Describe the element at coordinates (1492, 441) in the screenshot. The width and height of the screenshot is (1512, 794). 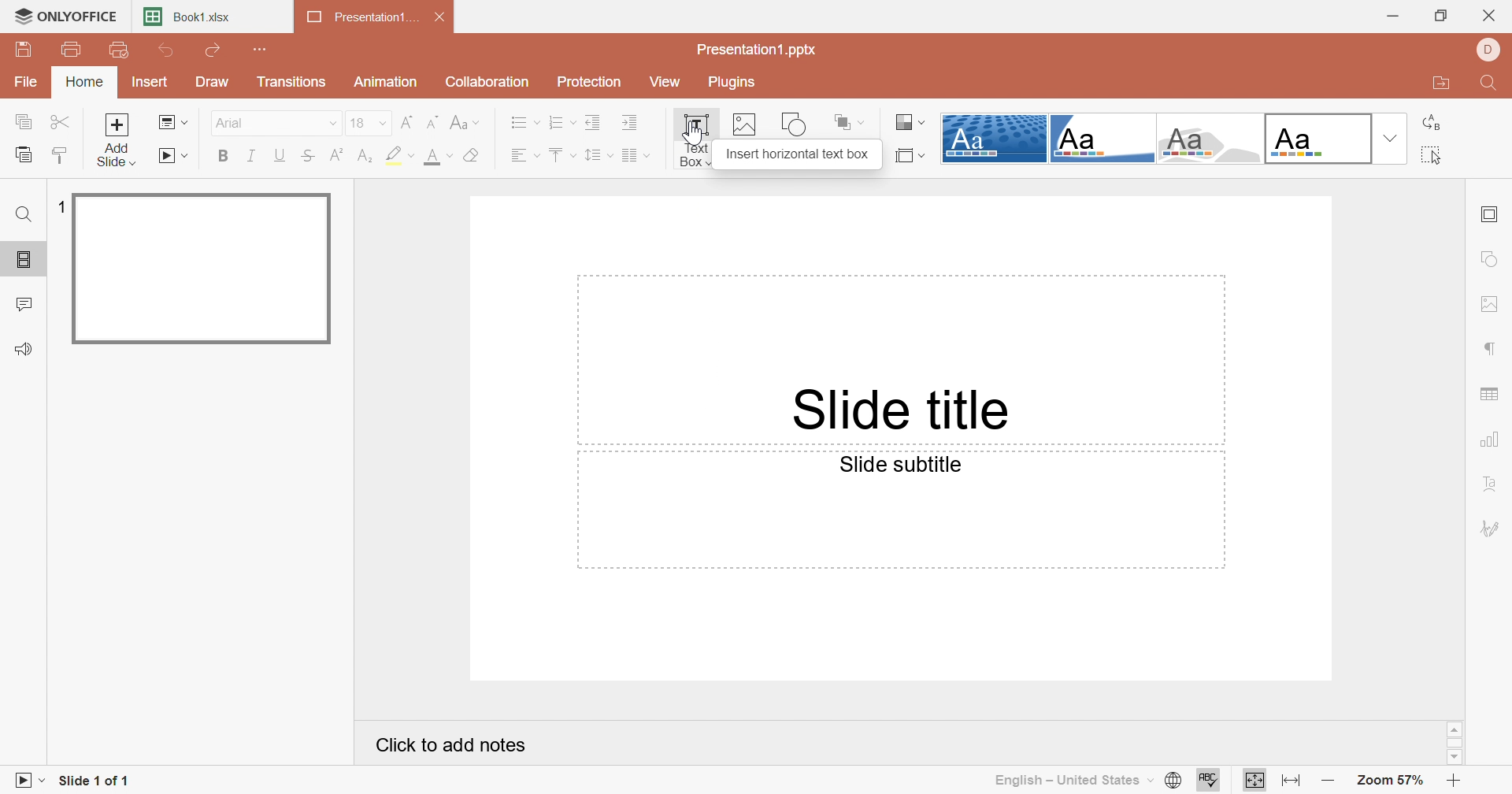
I see `Chart settings` at that location.